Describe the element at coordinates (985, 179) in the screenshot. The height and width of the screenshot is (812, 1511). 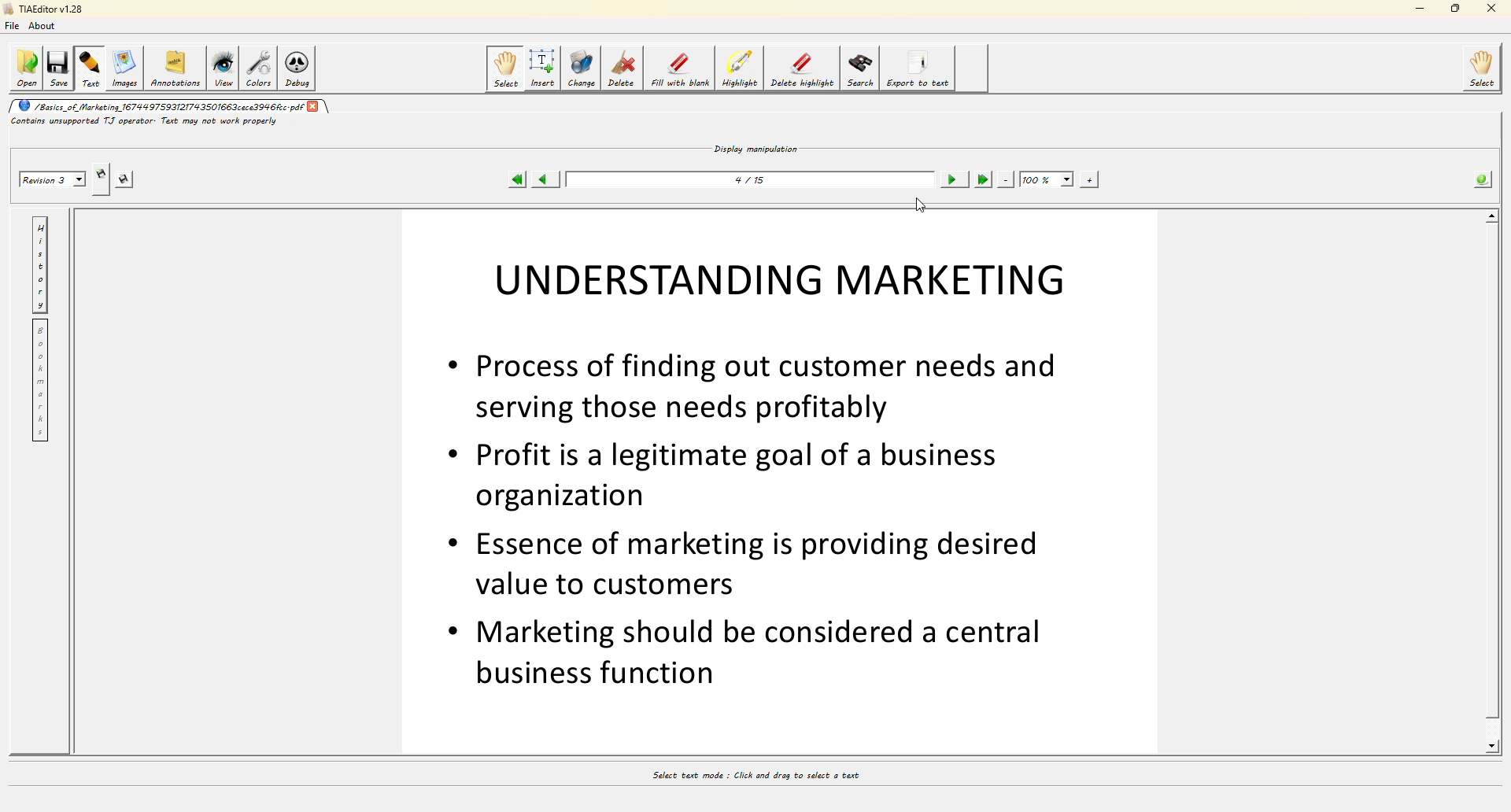
I see `last page` at that location.